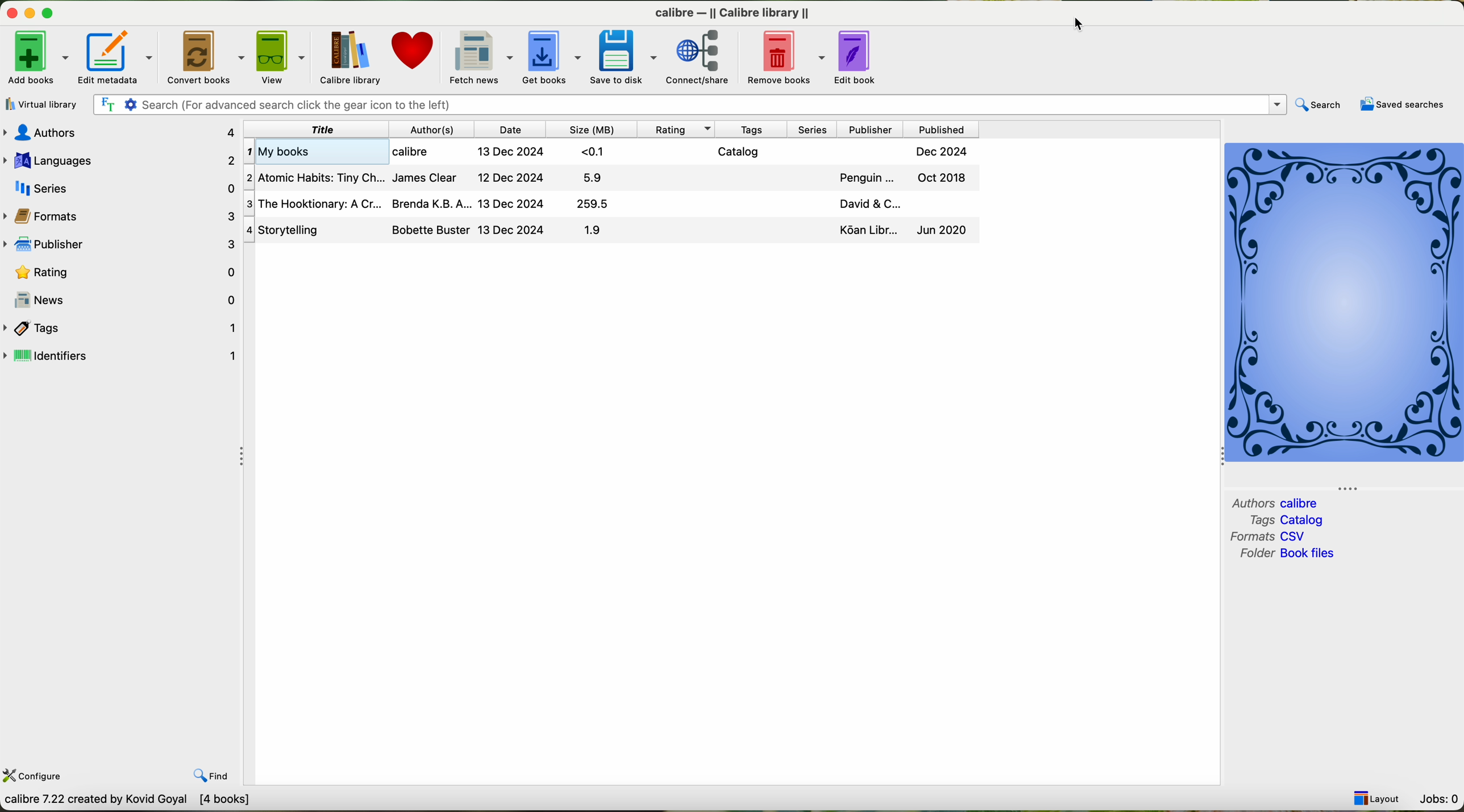 The height and width of the screenshot is (812, 1464). Describe the element at coordinates (678, 129) in the screenshot. I see `rating` at that location.